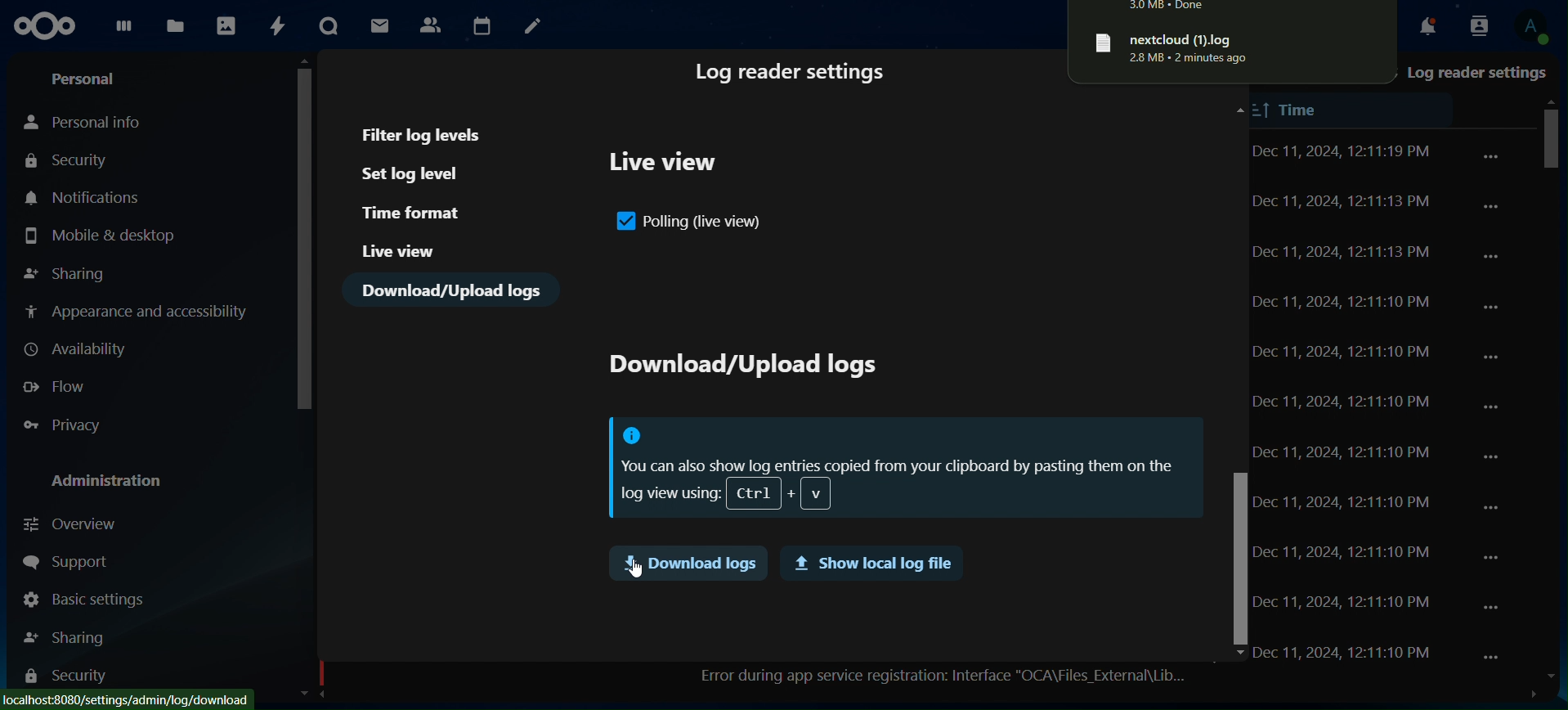 This screenshot has height=710, width=1568. Describe the element at coordinates (741, 368) in the screenshot. I see `text` at that location.